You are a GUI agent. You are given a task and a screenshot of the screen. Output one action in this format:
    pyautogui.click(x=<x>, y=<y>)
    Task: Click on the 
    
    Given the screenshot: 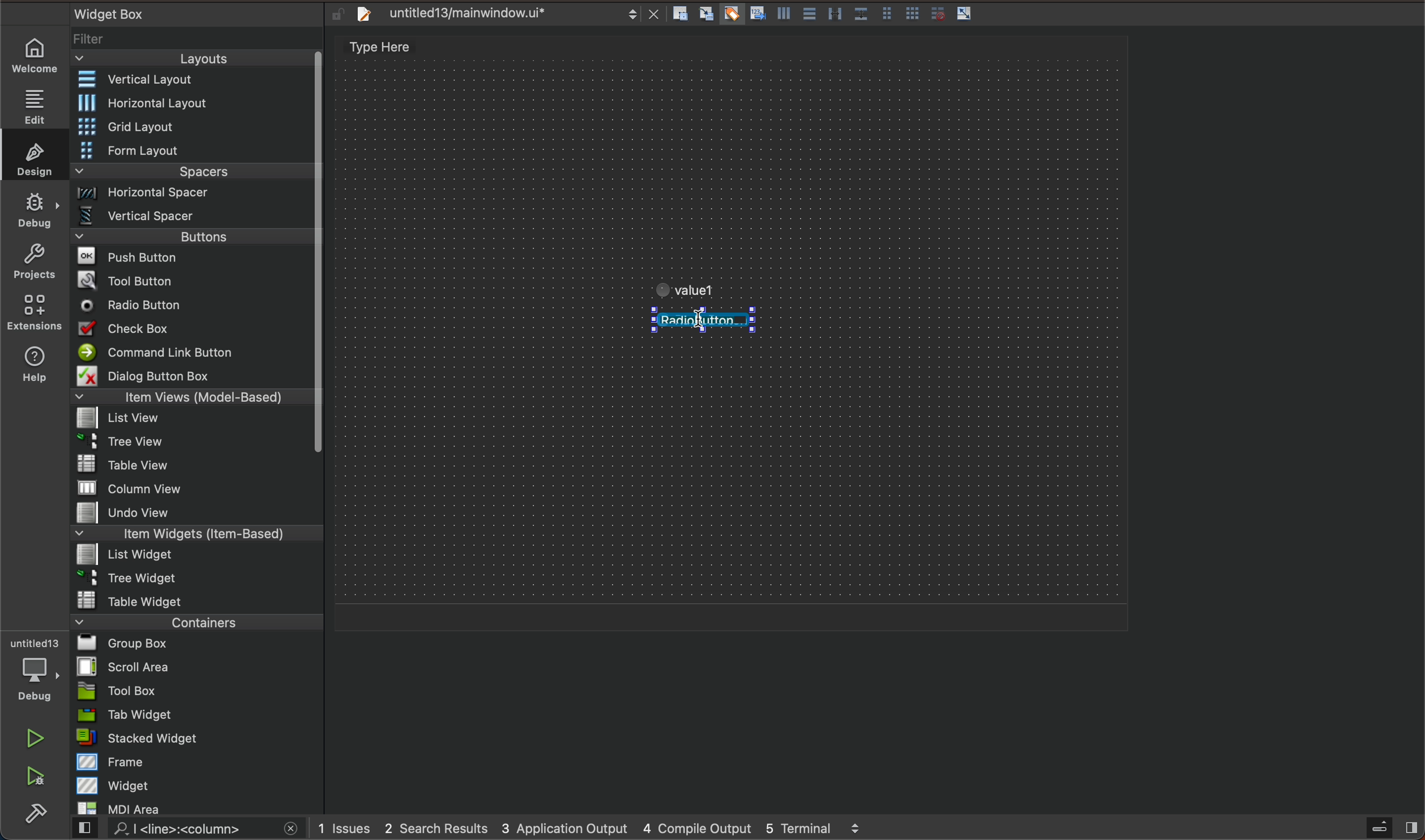 What is the action you would take?
    pyautogui.click(x=194, y=152)
    